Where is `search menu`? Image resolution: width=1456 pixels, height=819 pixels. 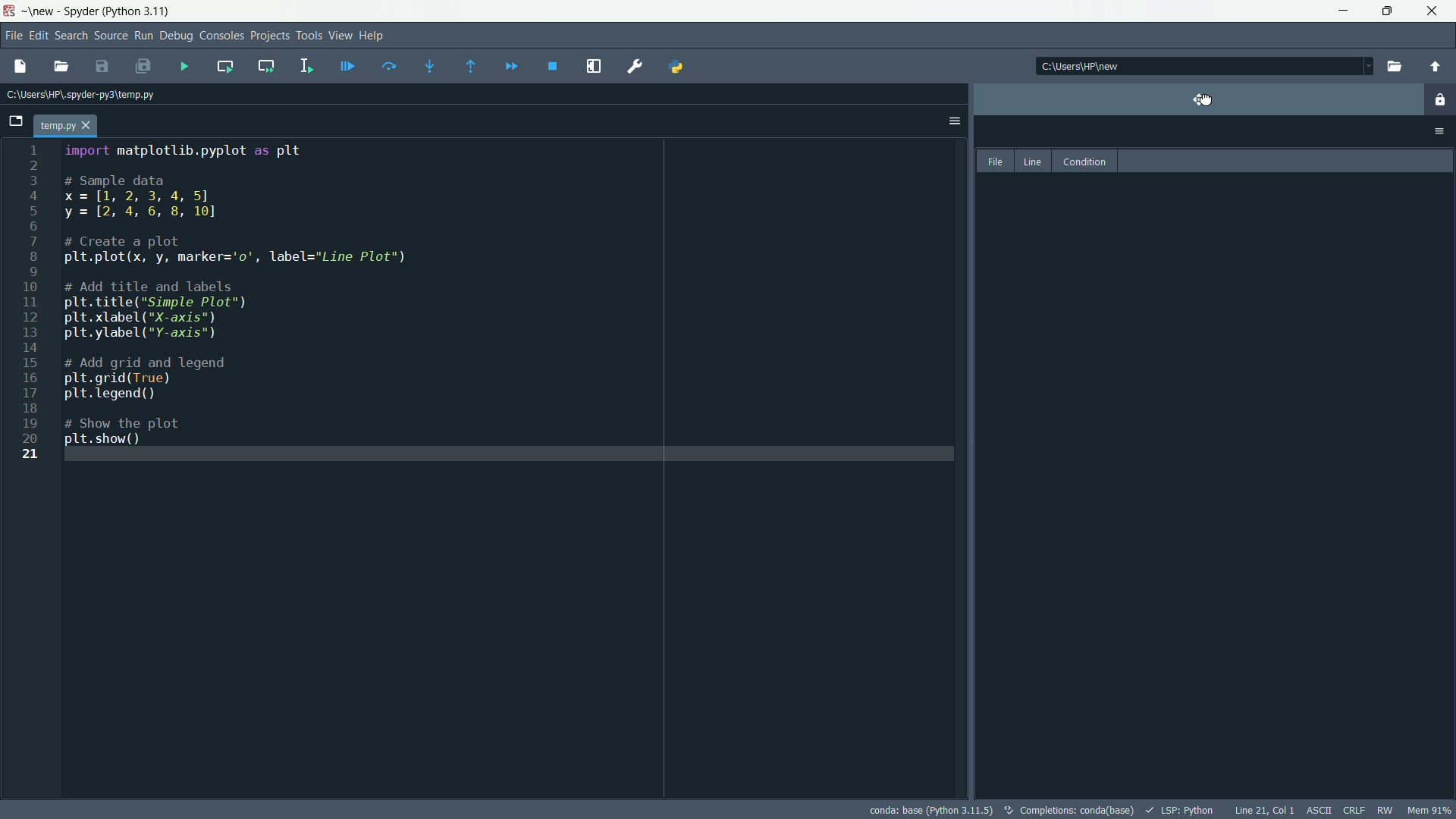 search menu is located at coordinates (72, 36).